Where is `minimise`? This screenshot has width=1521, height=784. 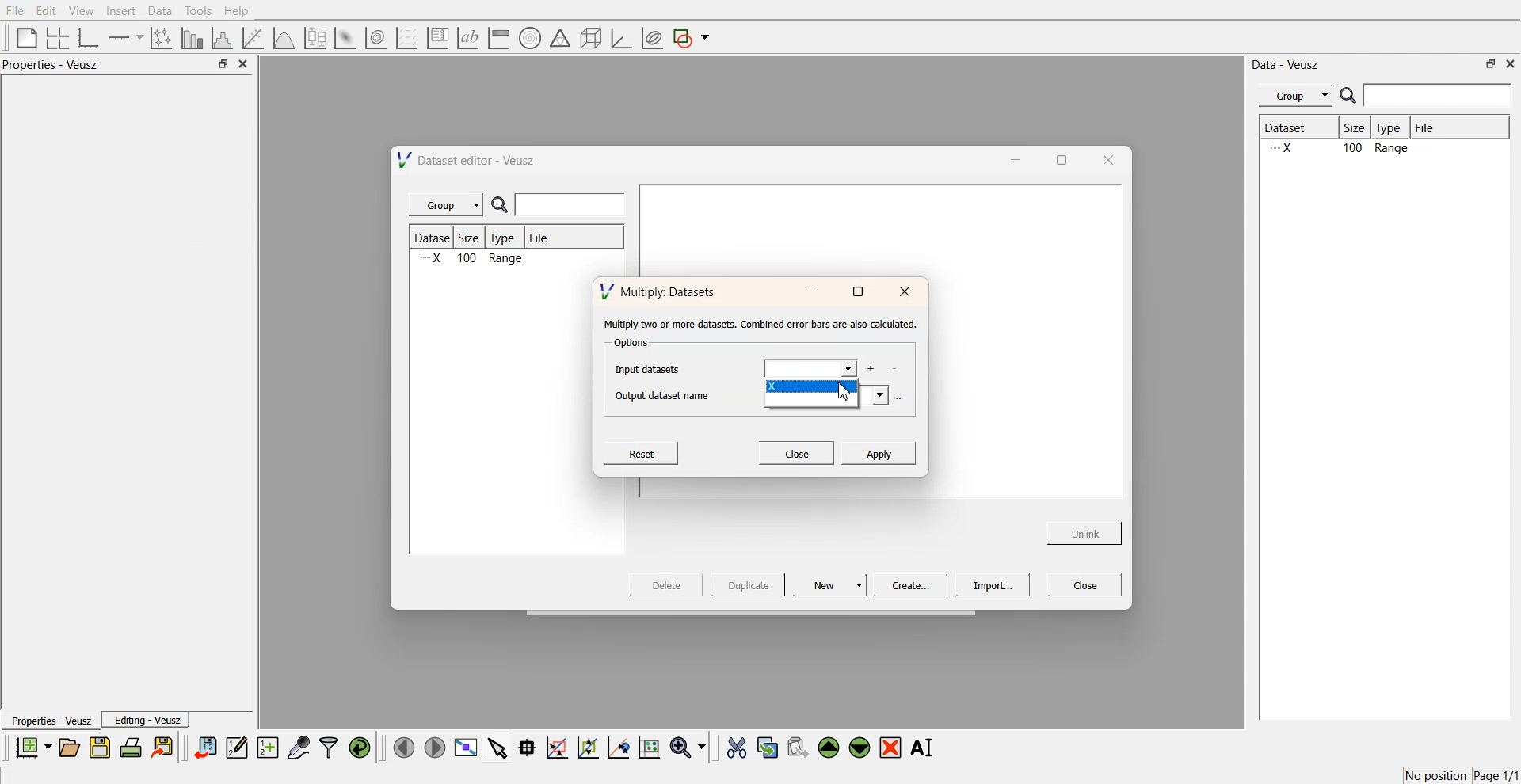
minimise is located at coordinates (1012, 158).